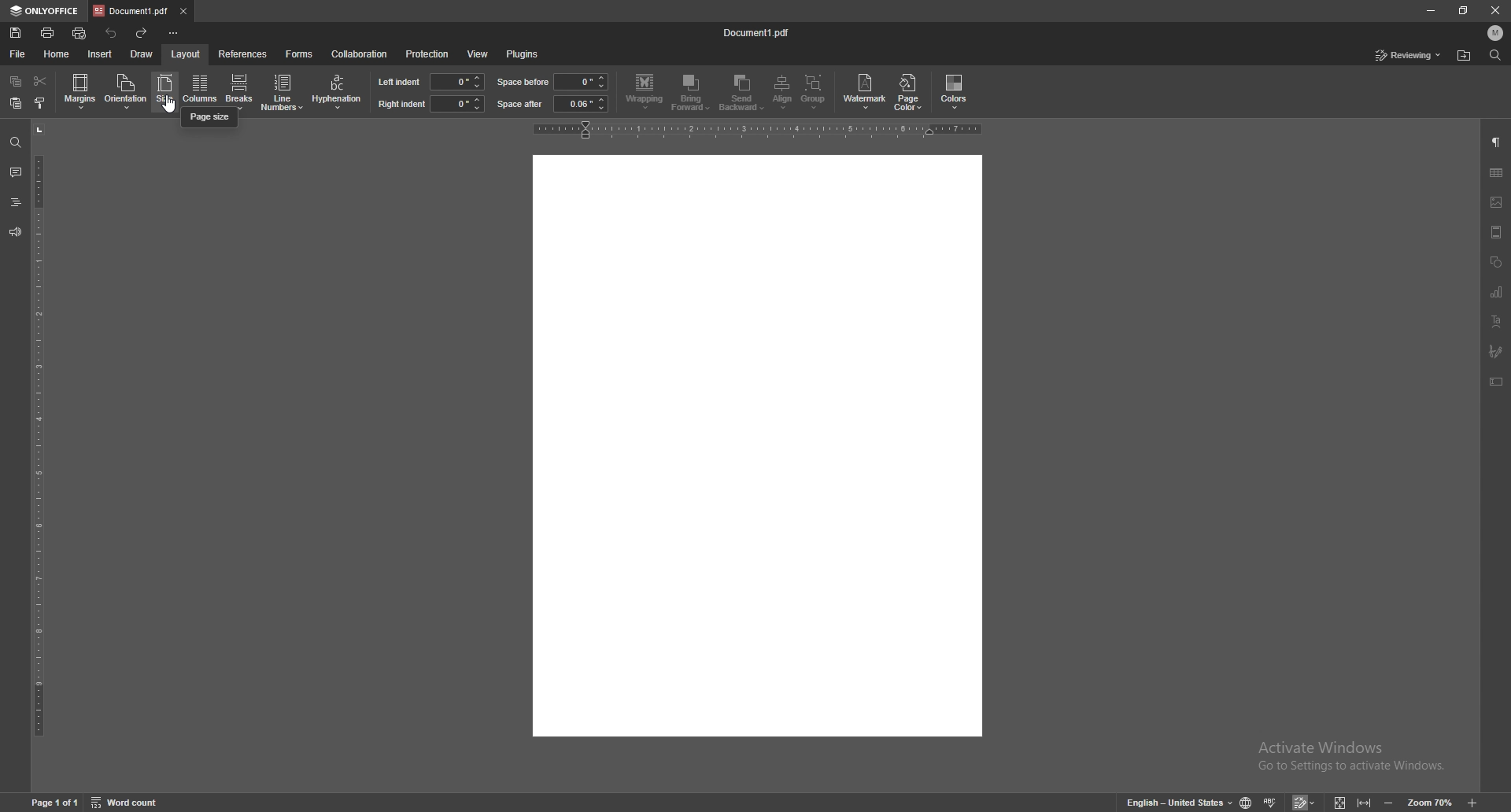  What do you see at coordinates (645, 91) in the screenshot?
I see `wrapping` at bounding box center [645, 91].